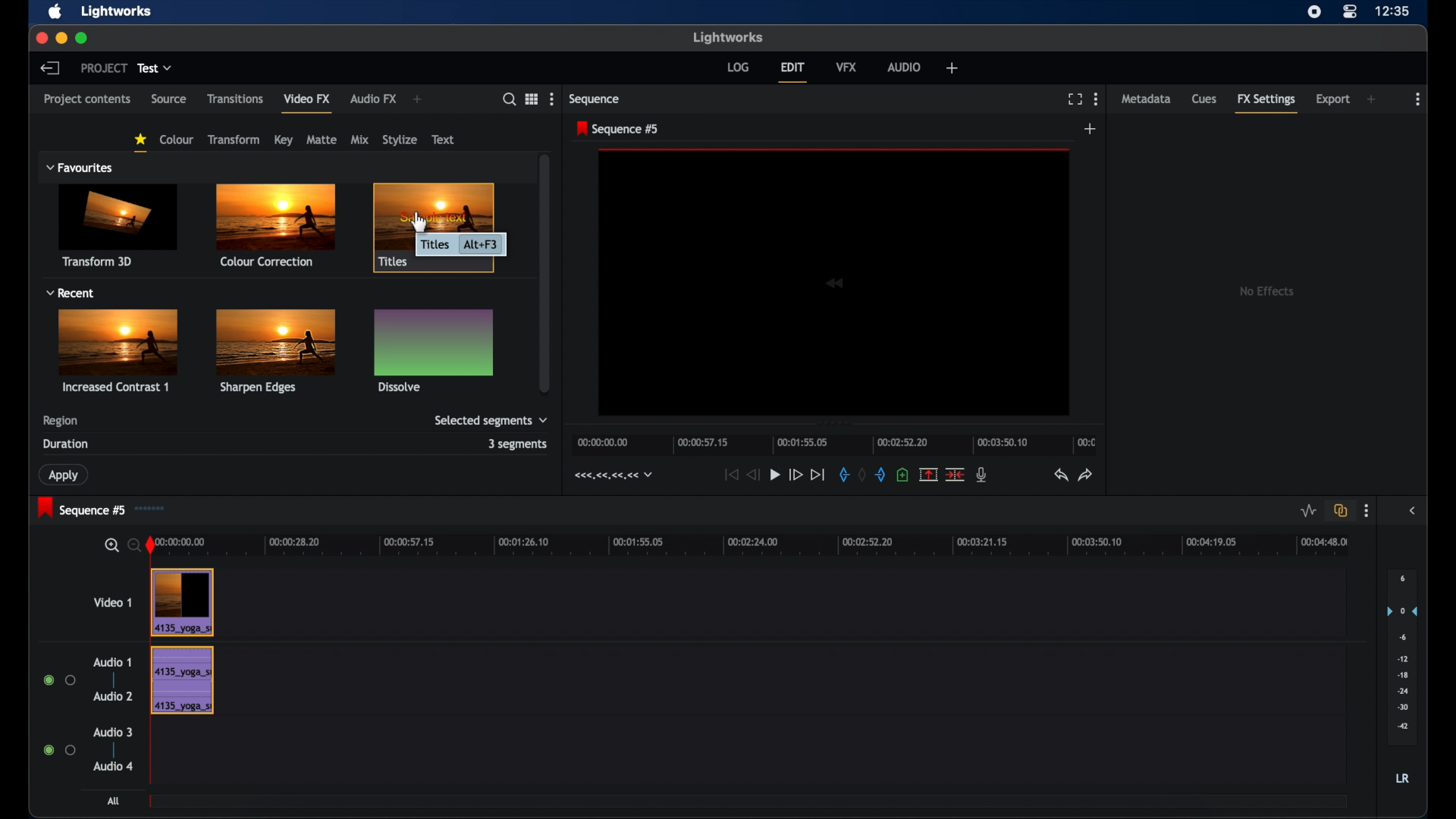 This screenshot has width=1456, height=819. What do you see at coordinates (275, 226) in the screenshot?
I see `color corrections` at bounding box center [275, 226].